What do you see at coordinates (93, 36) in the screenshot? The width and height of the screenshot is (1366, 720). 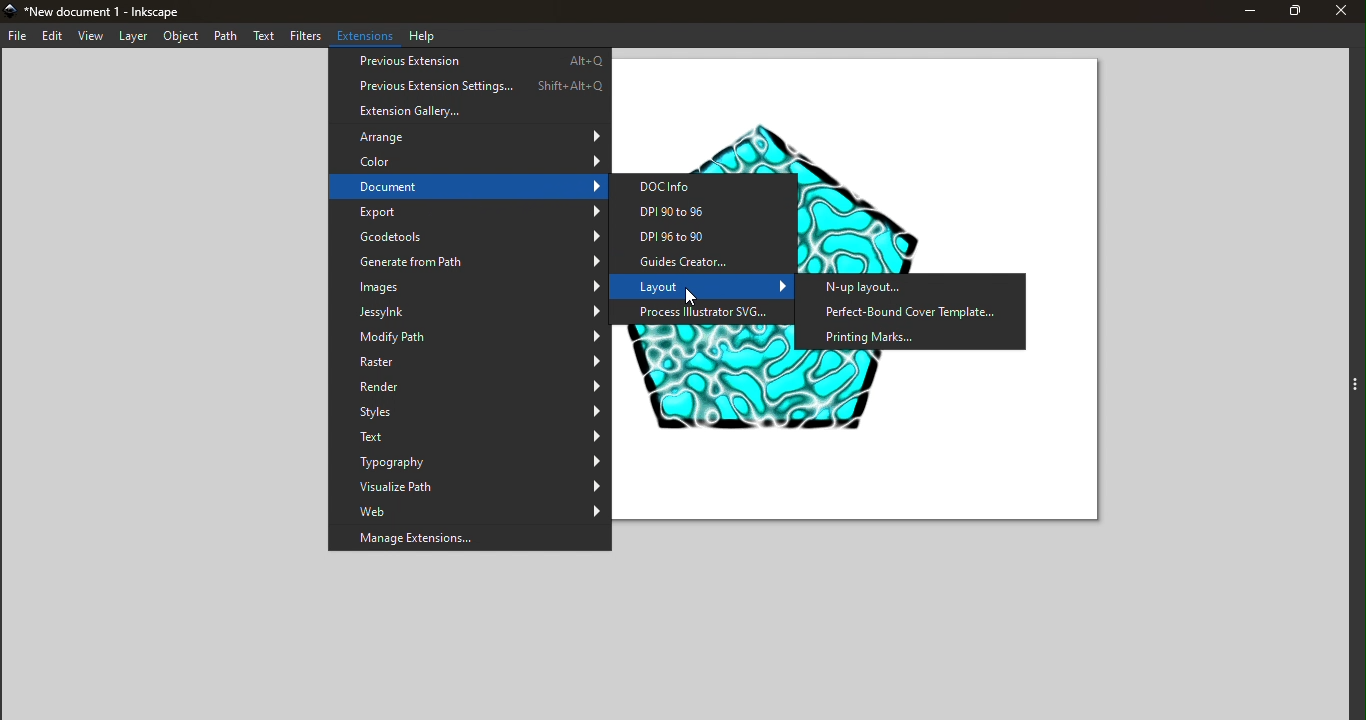 I see `View` at bounding box center [93, 36].